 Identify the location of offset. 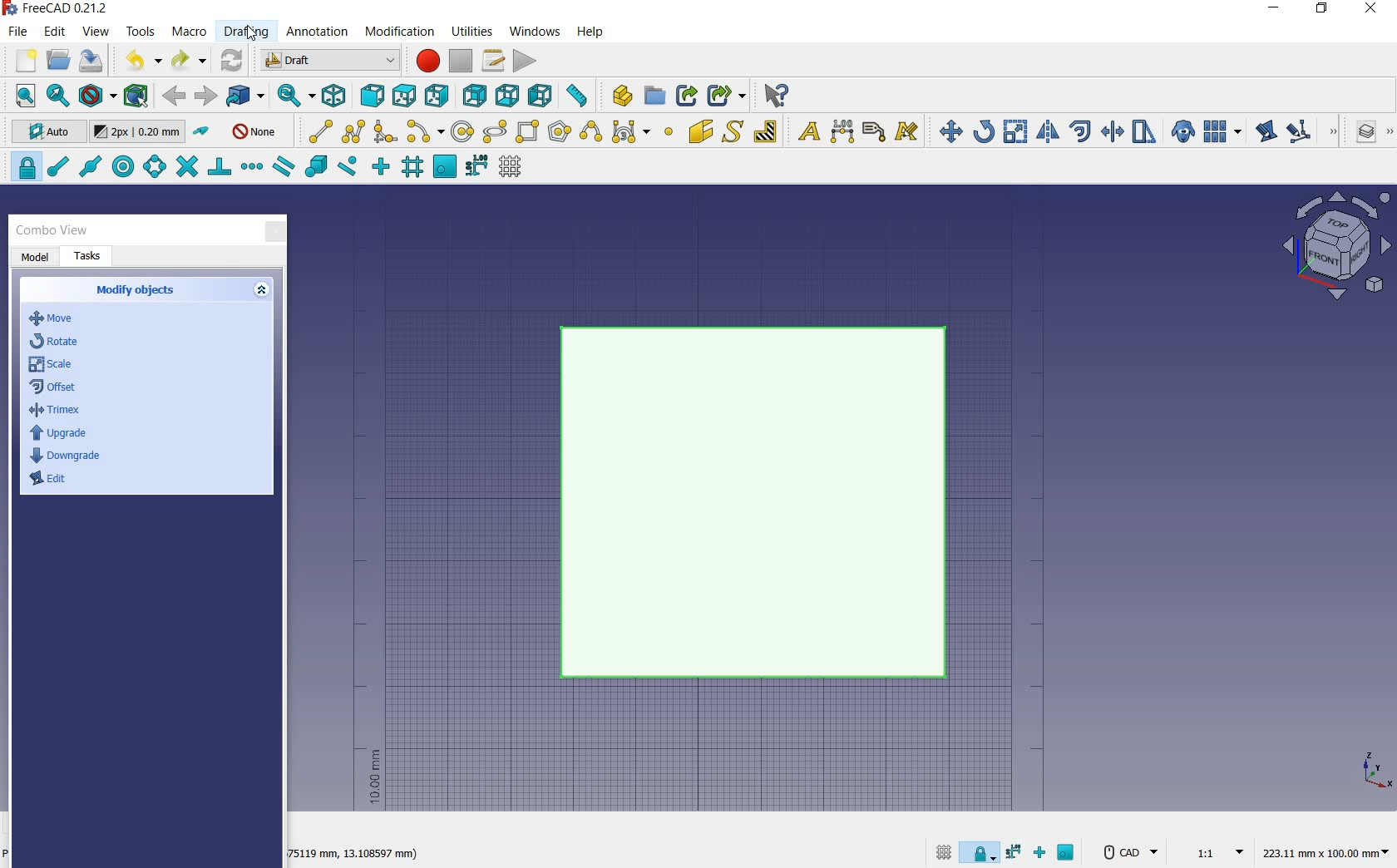
(57, 388).